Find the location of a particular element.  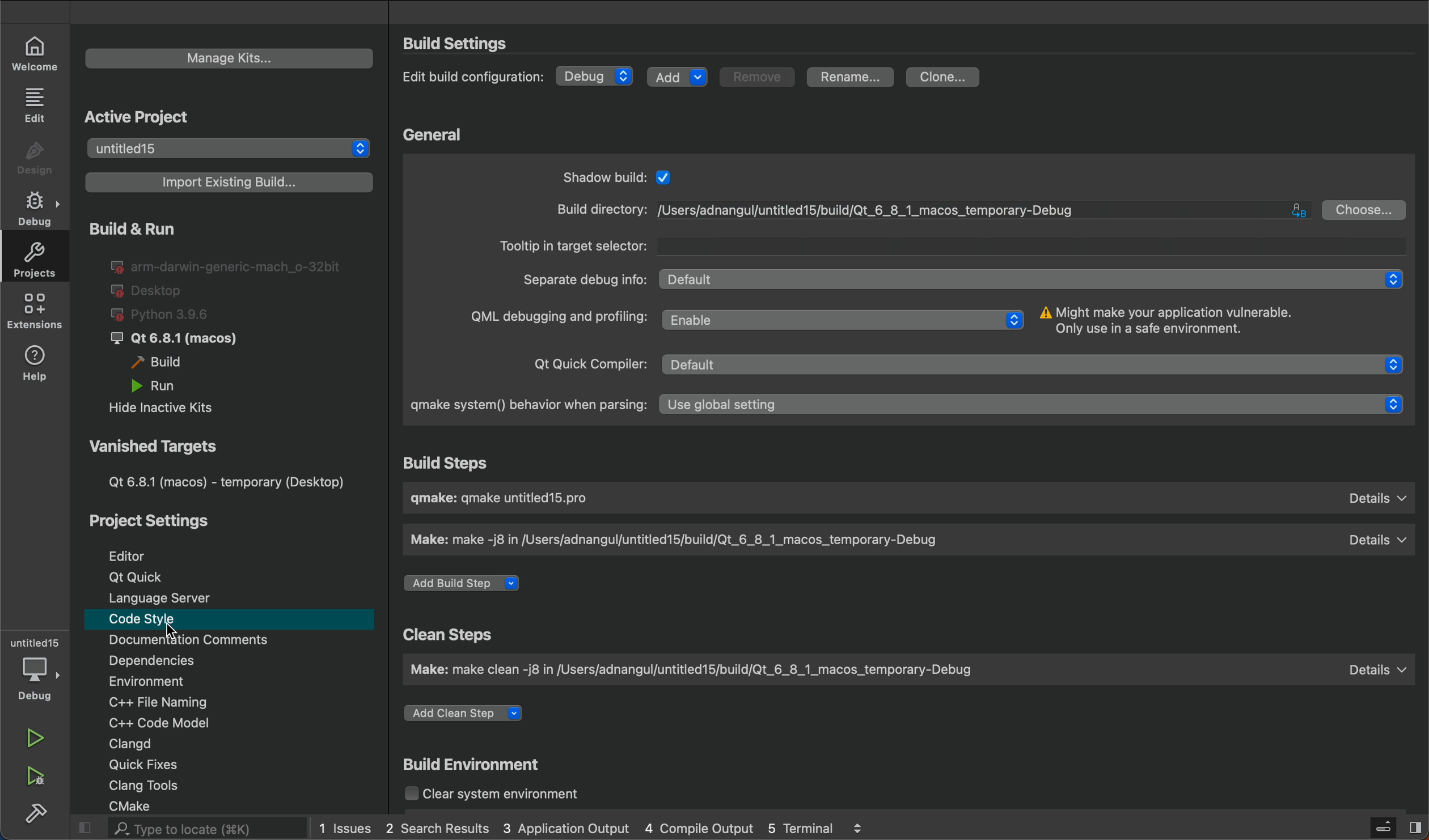

edit build is located at coordinates (475, 78).